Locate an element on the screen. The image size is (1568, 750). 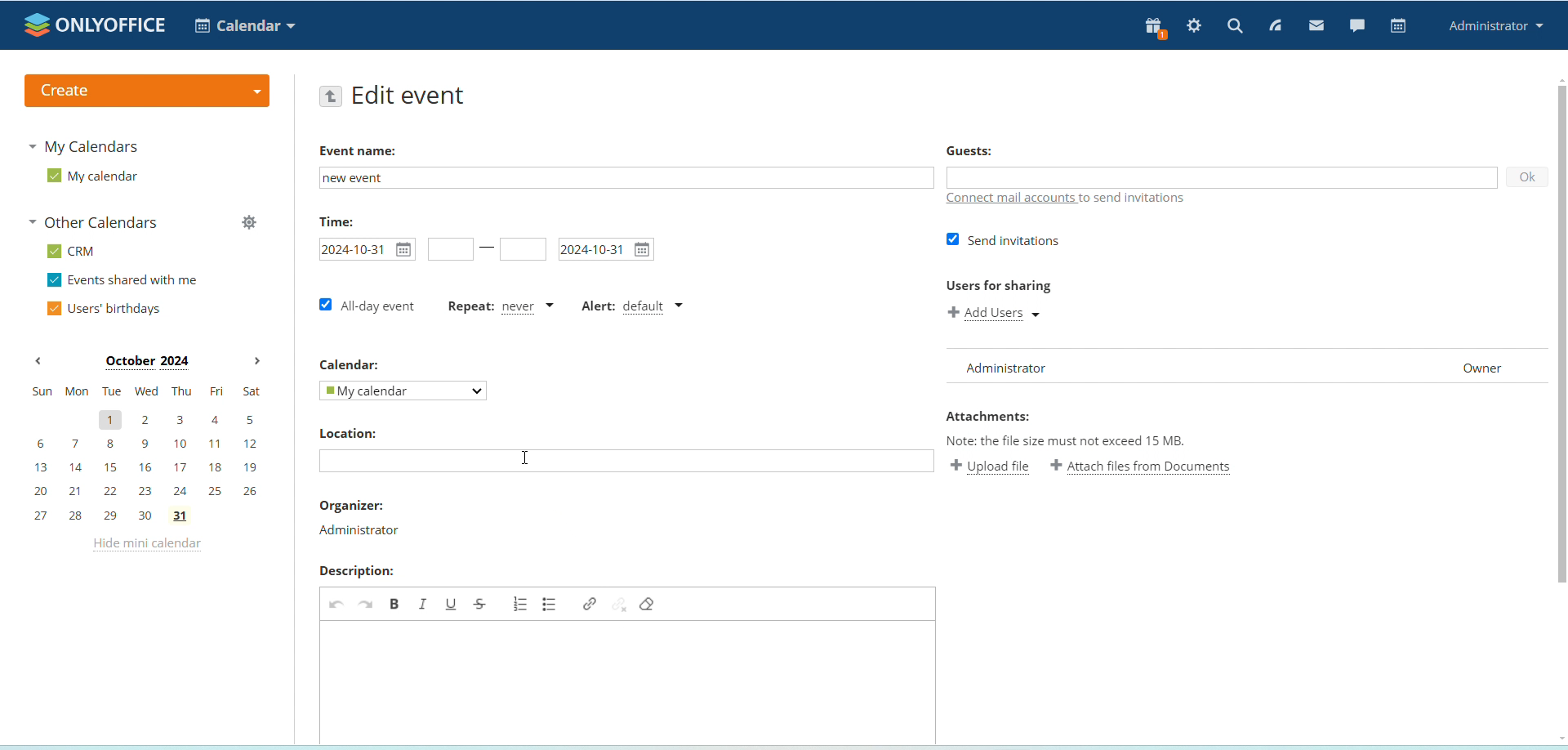
attach file from documents is located at coordinates (1142, 467).